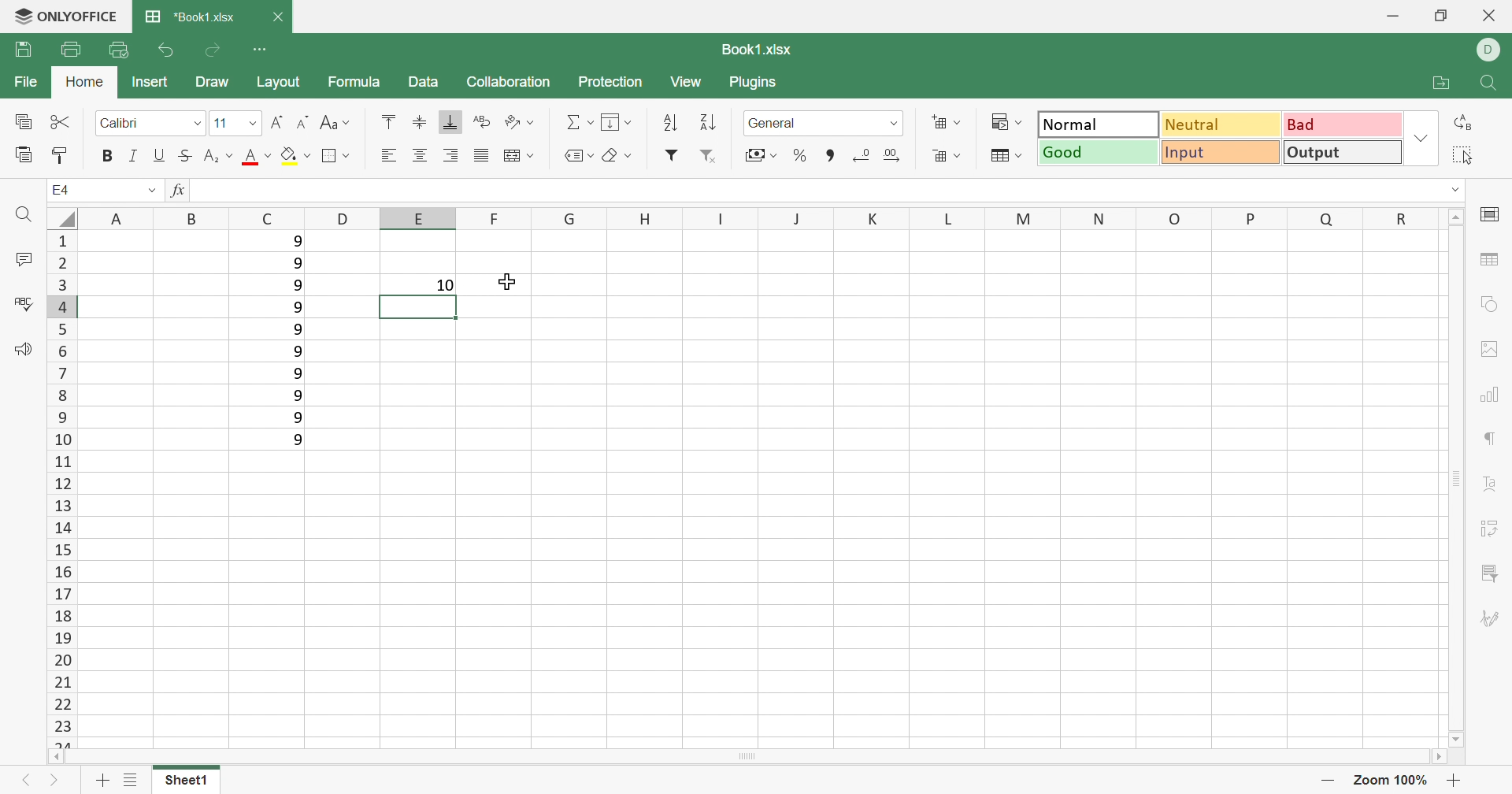  Describe the element at coordinates (1221, 126) in the screenshot. I see `Neutral` at that location.